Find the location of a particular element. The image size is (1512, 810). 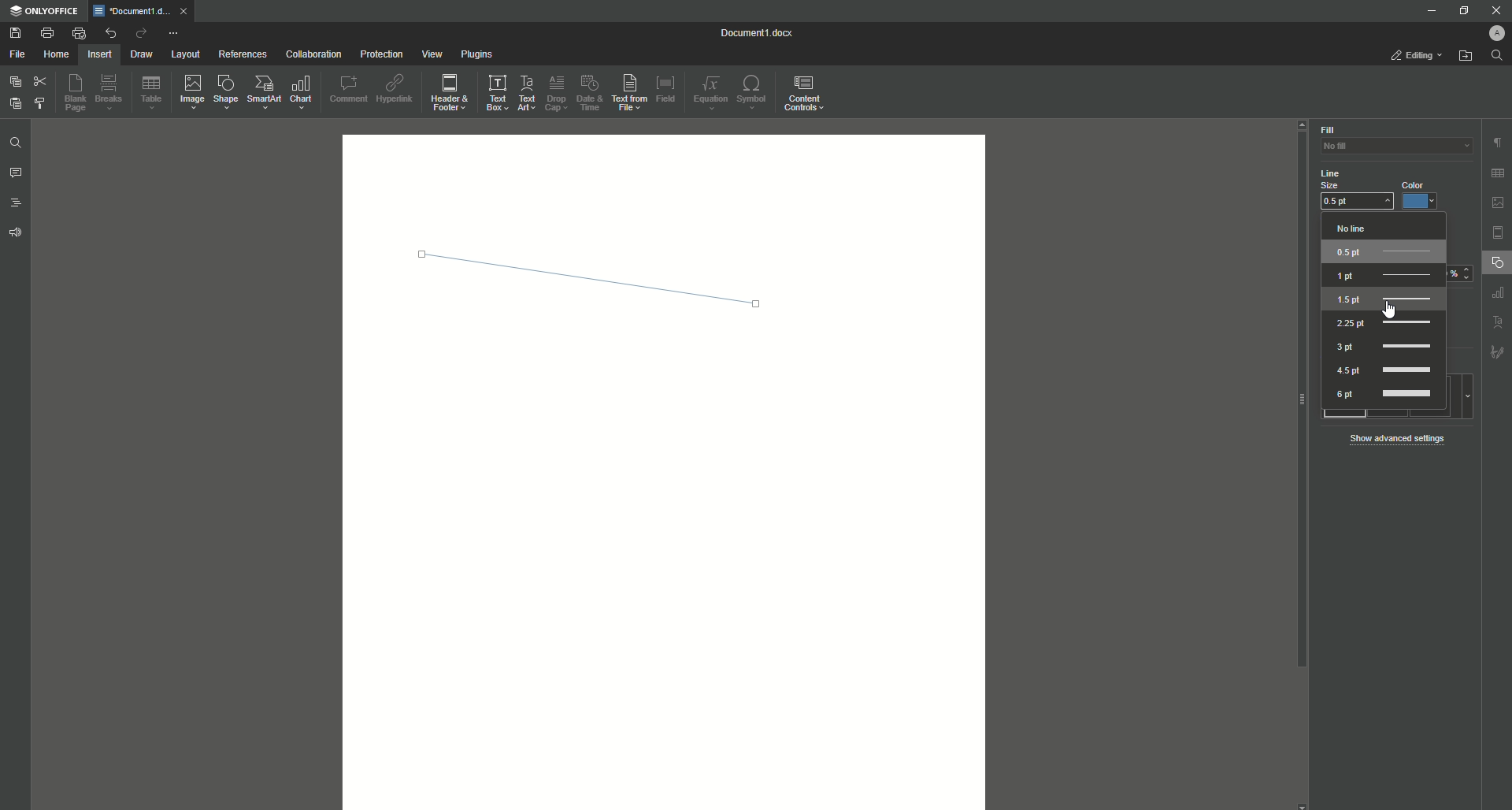

page is located at coordinates (1499, 232).